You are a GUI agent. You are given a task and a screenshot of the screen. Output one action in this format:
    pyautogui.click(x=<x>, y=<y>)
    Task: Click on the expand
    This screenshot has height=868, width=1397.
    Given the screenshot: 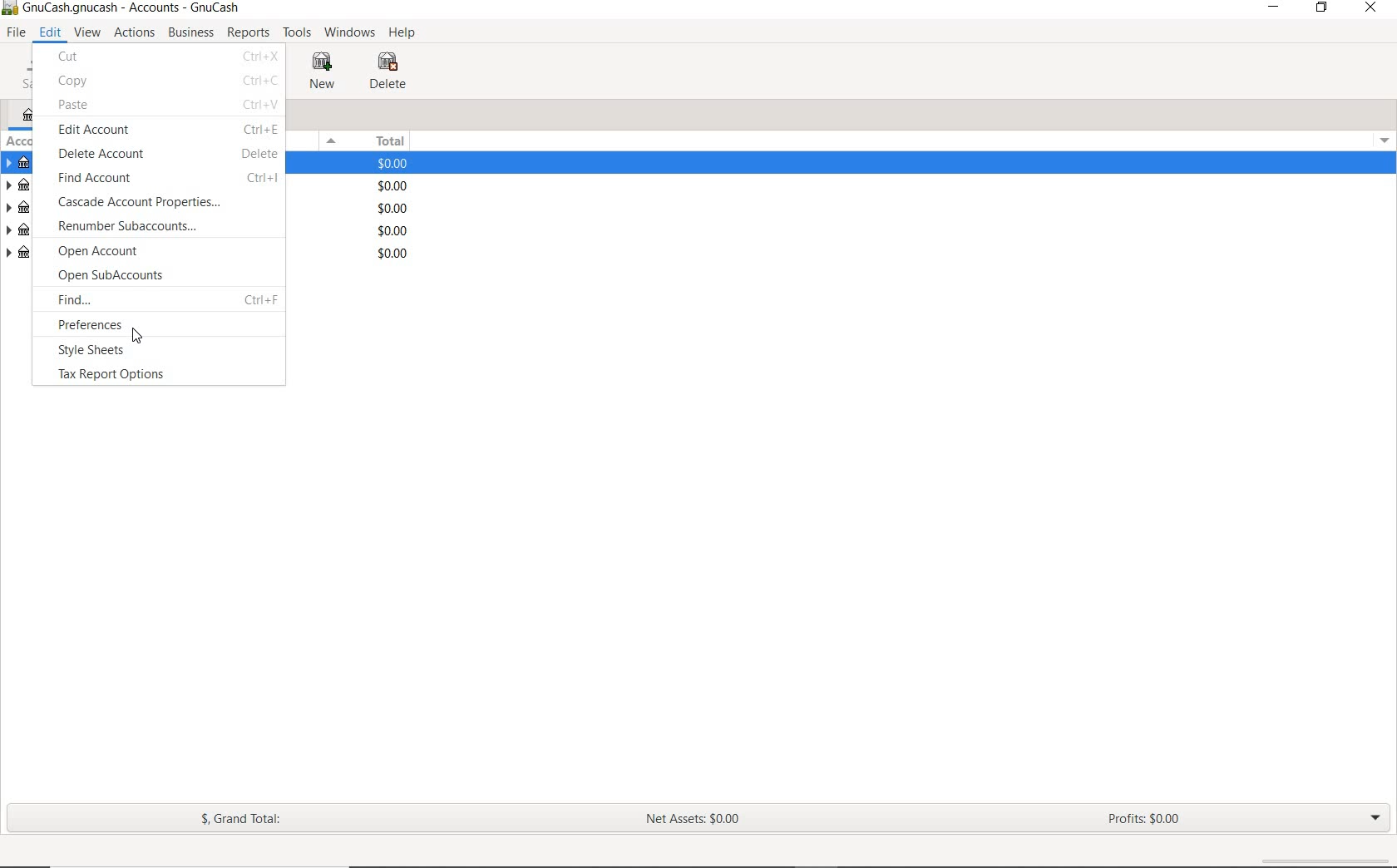 What is the action you would take?
    pyautogui.click(x=1382, y=138)
    